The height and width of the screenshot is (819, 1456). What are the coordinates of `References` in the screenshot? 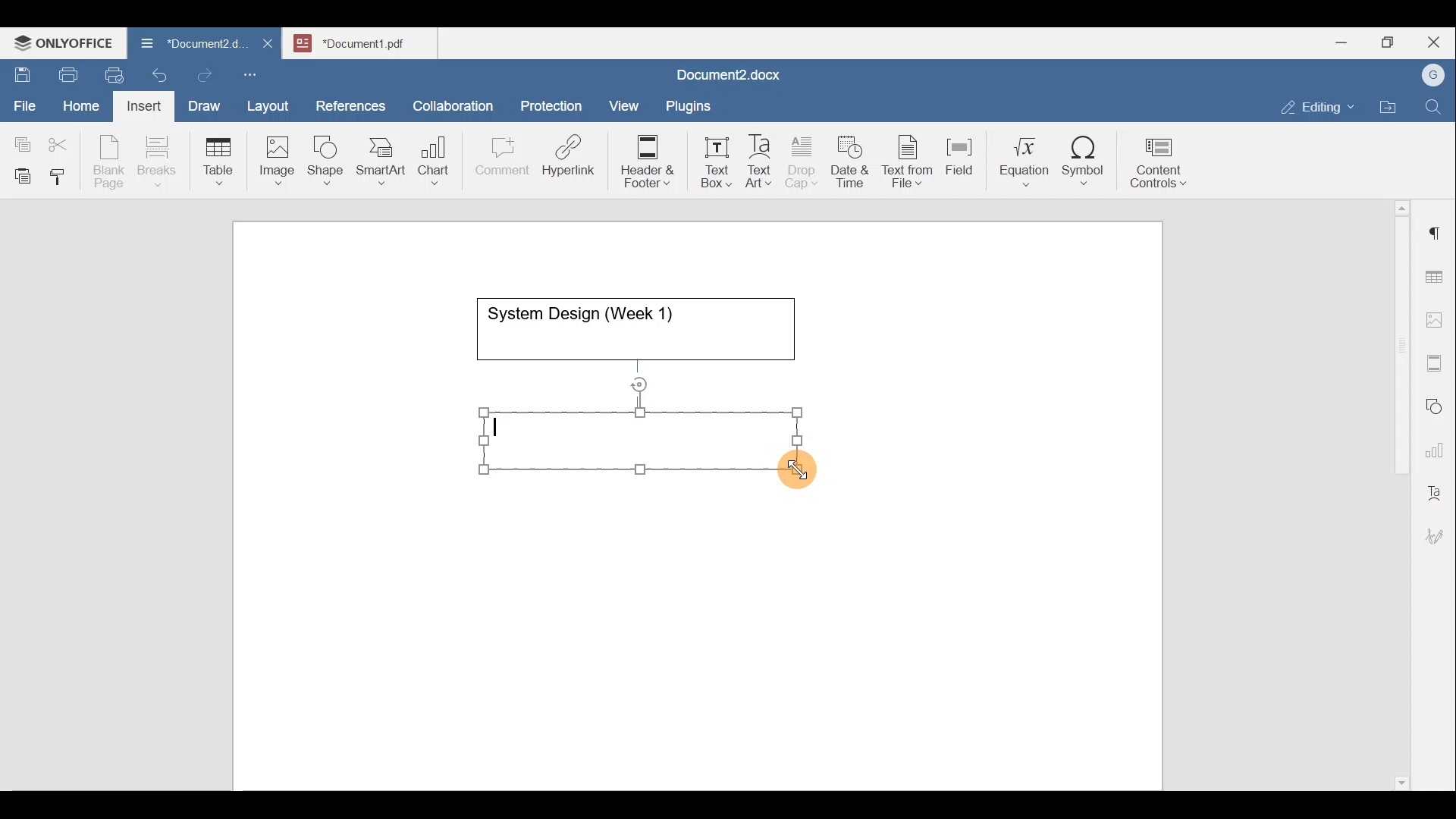 It's located at (350, 104).